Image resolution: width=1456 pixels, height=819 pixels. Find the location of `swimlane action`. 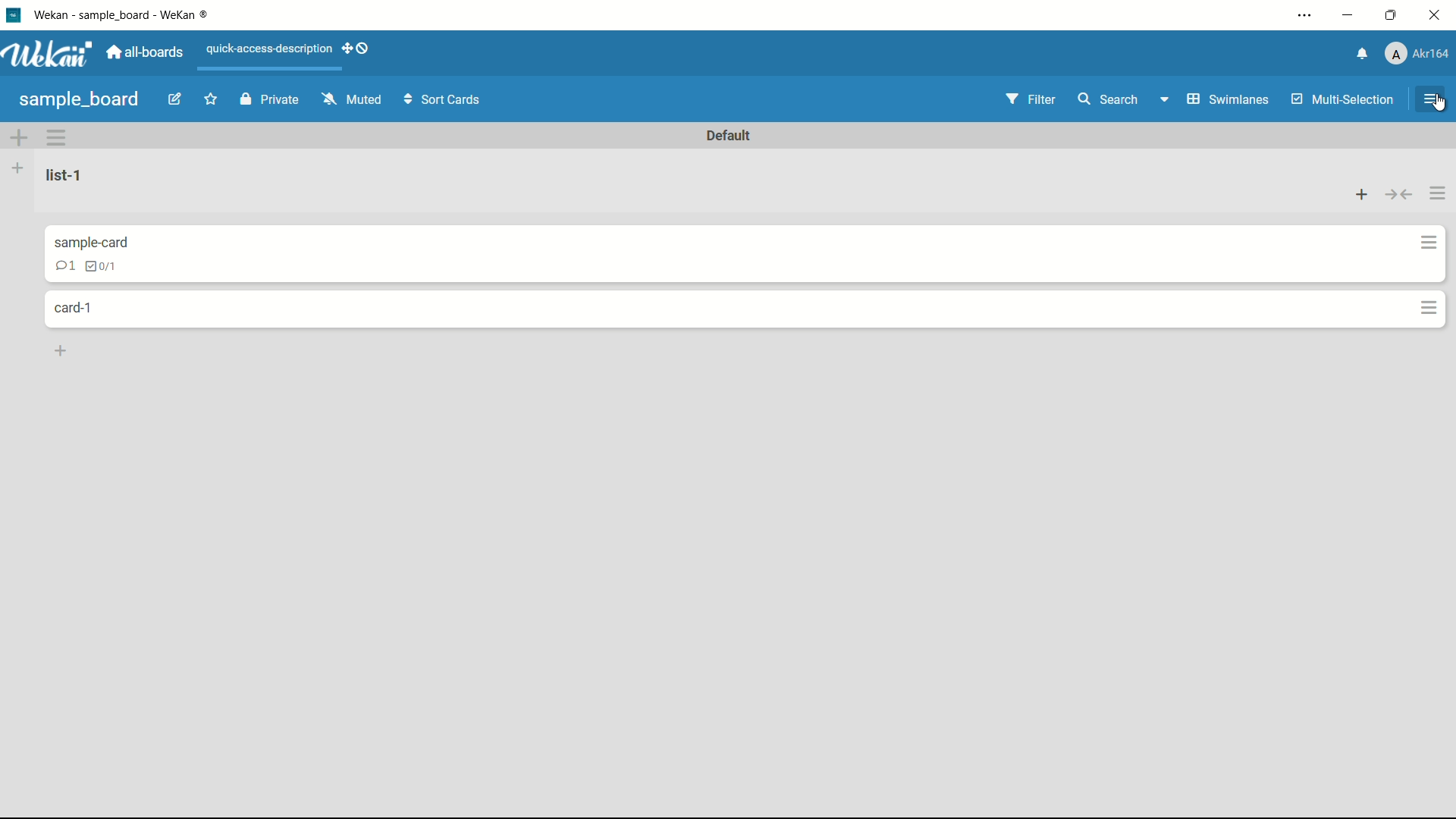

swimlane action is located at coordinates (57, 136).